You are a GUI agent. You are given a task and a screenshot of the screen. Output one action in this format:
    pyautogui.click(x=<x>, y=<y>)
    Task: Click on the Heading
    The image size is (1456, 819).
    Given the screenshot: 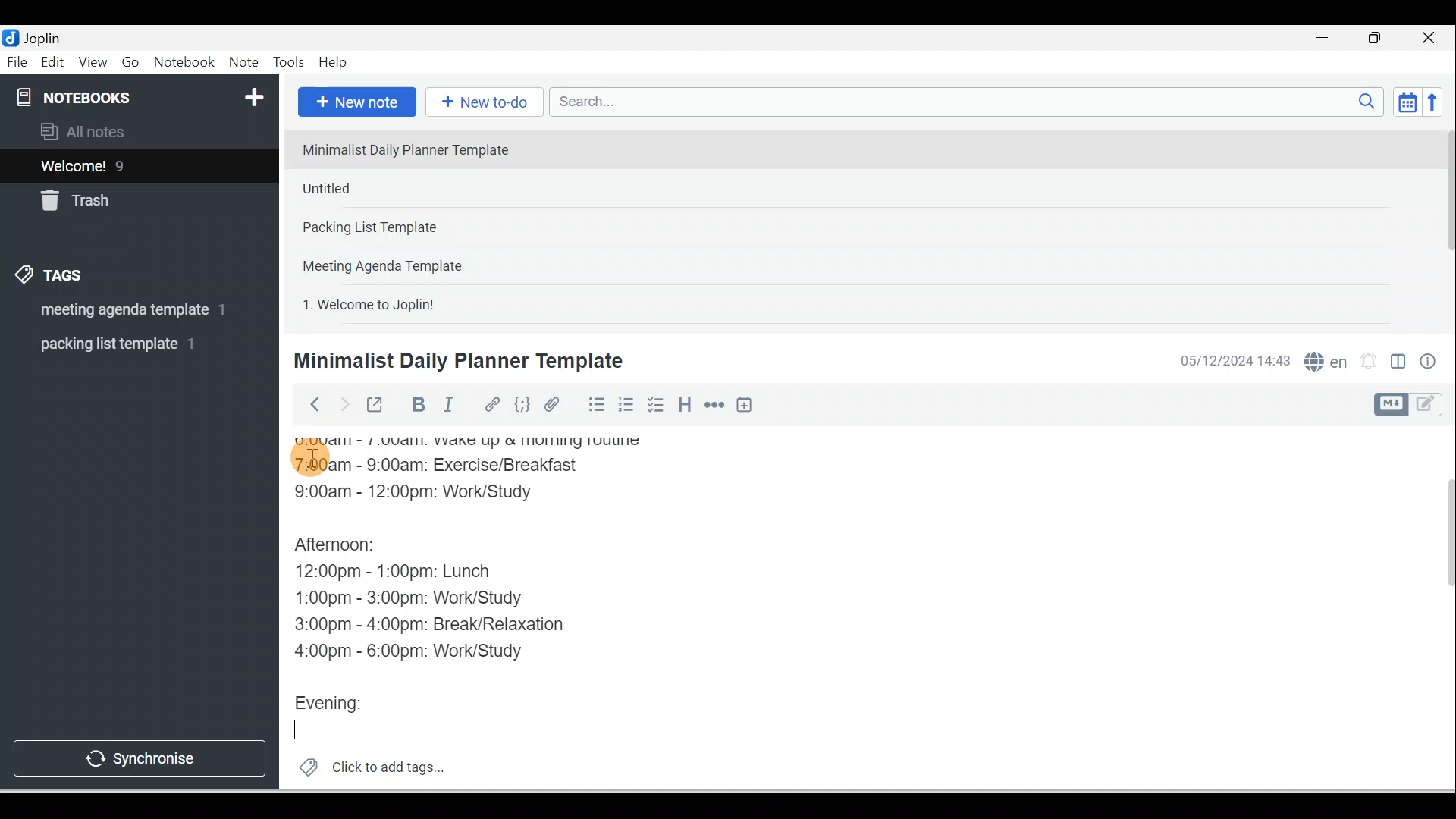 What is the action you would take?
    pyautogui.click(x=684, y=403)
    